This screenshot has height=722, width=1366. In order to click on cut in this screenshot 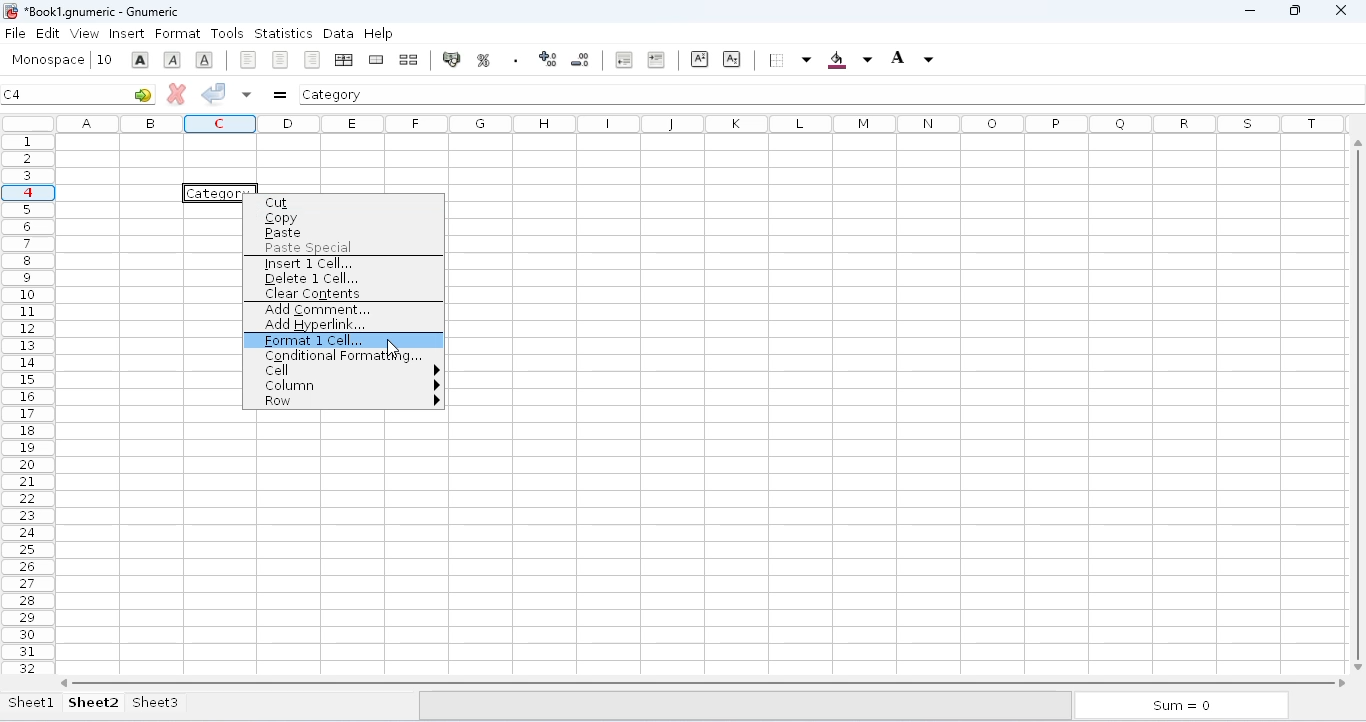, I will do `click(277, 203)`.